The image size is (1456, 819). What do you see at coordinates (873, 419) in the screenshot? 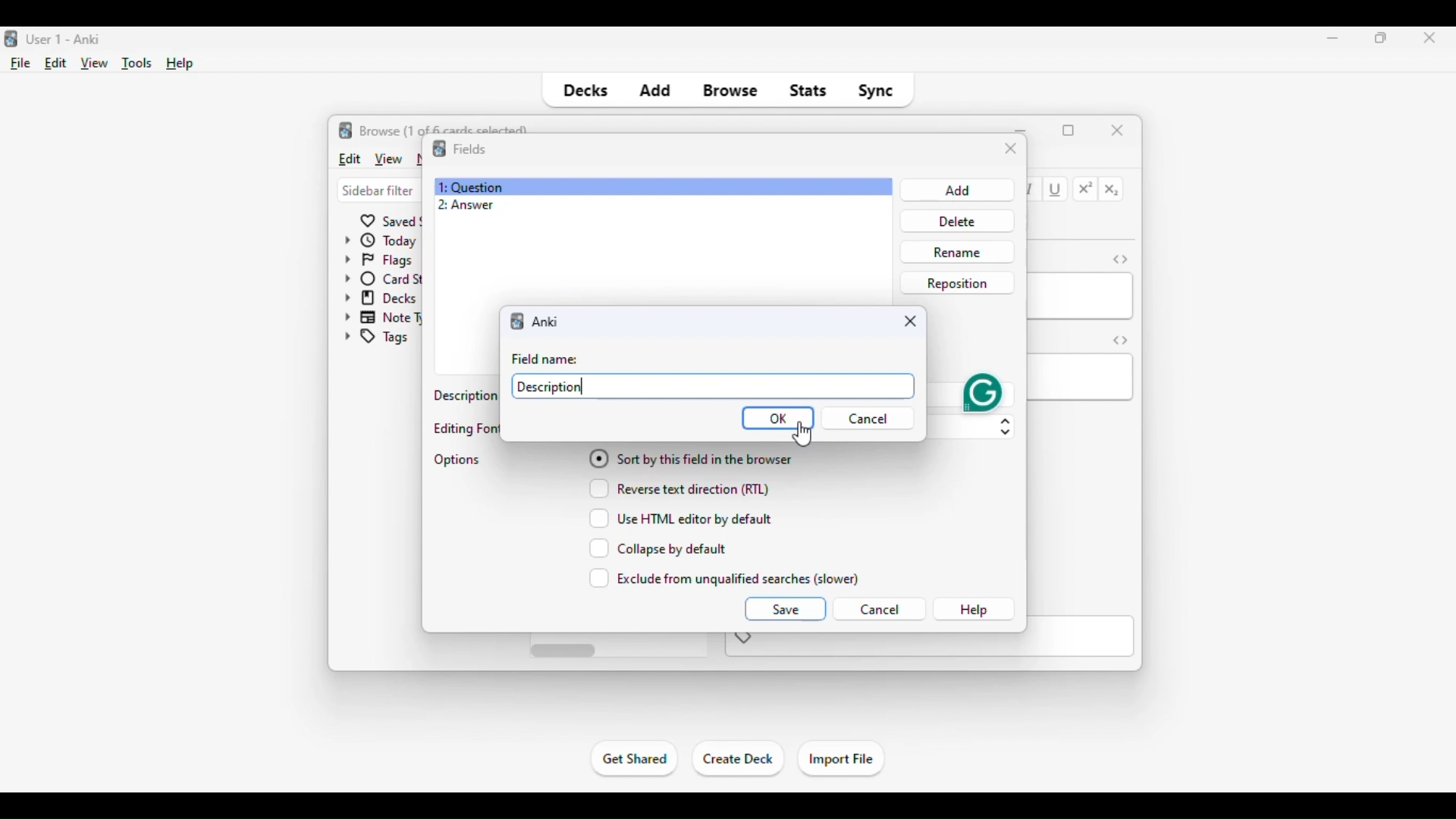
I see `cancel` at bounding box center [873, 419].